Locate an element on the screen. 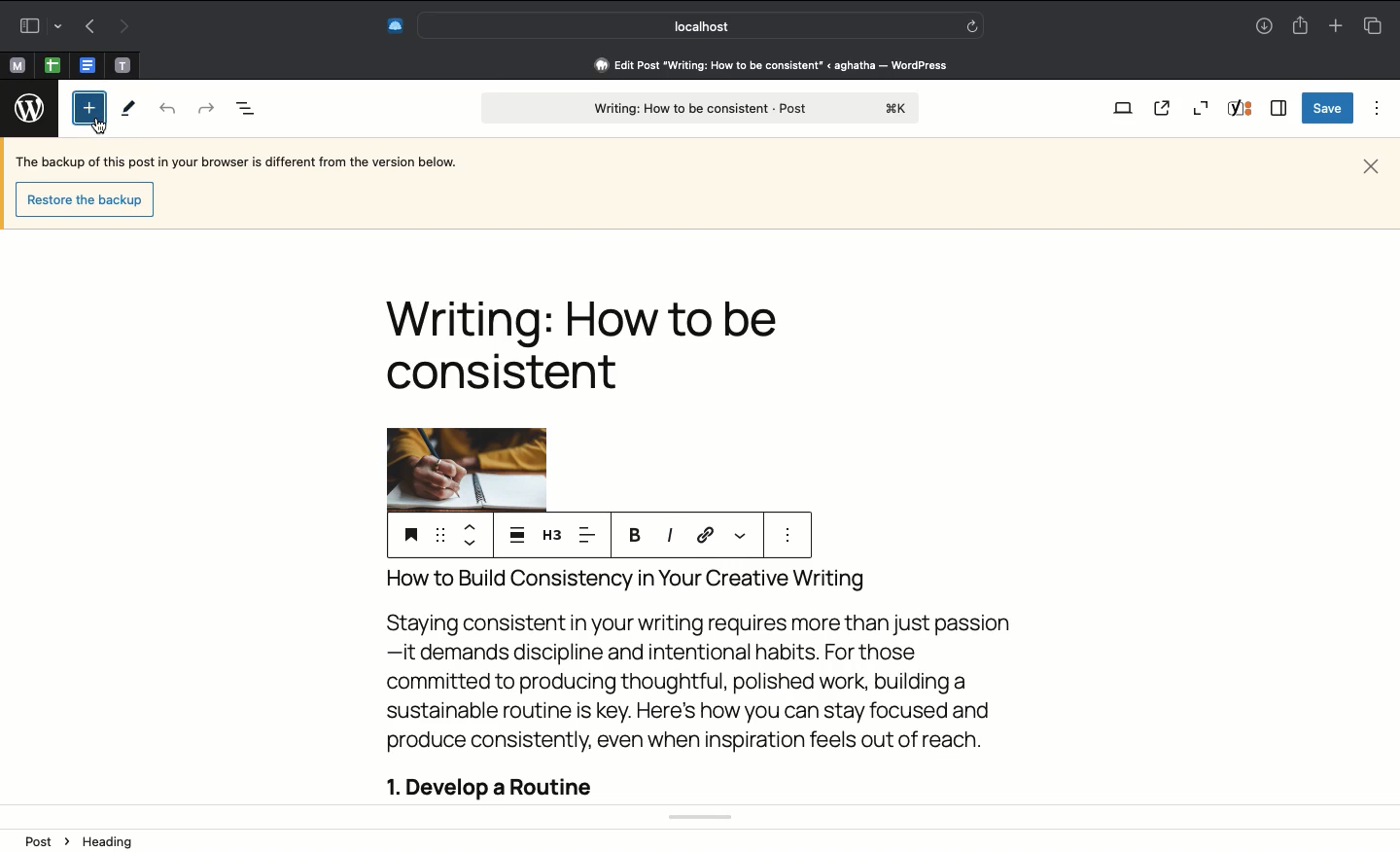 The width and height of the screenshot is (1400, 852). Close is located at coordinates (1371, 166).